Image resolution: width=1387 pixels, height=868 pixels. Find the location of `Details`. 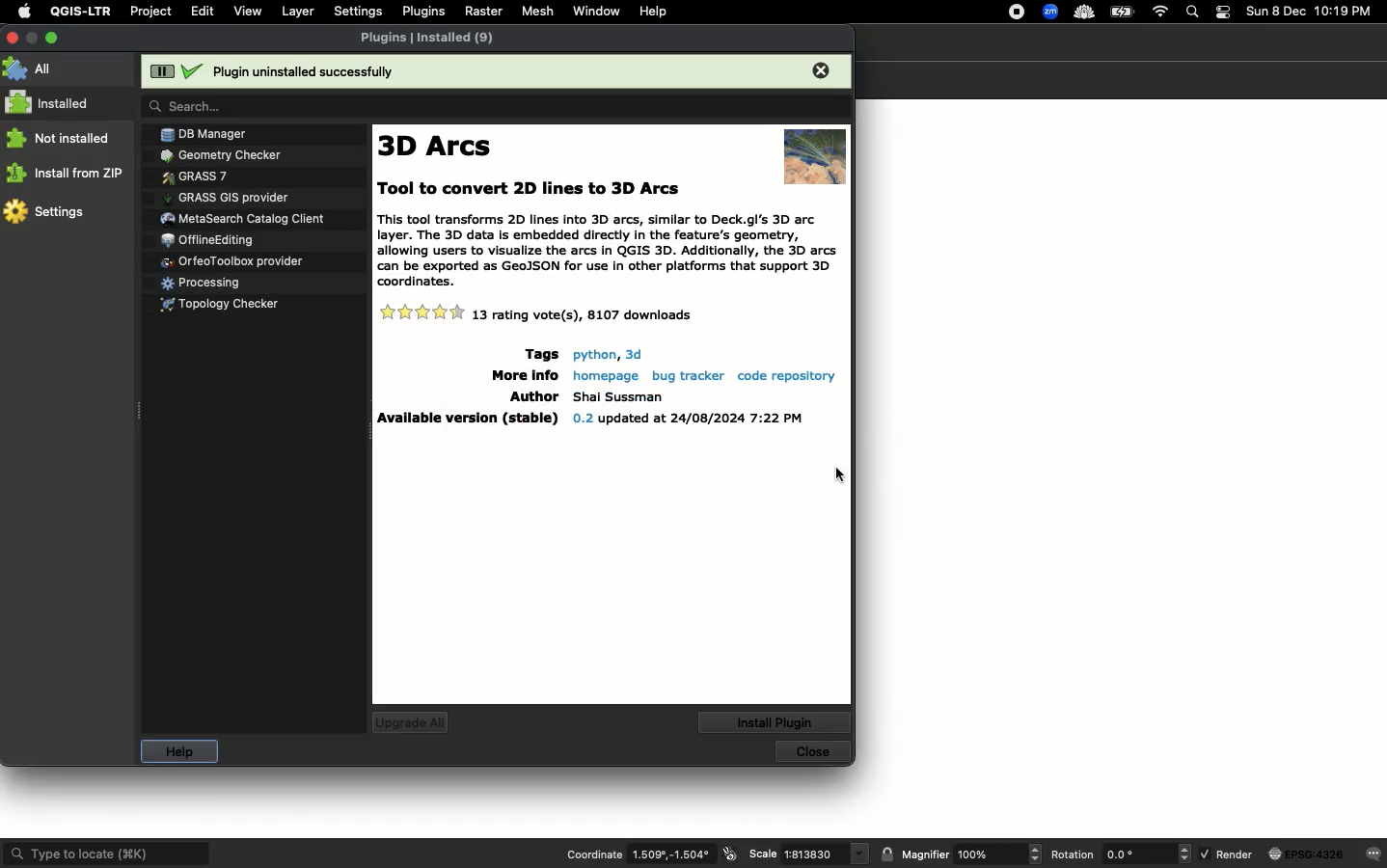

Details is located at coordinates (567, 312).